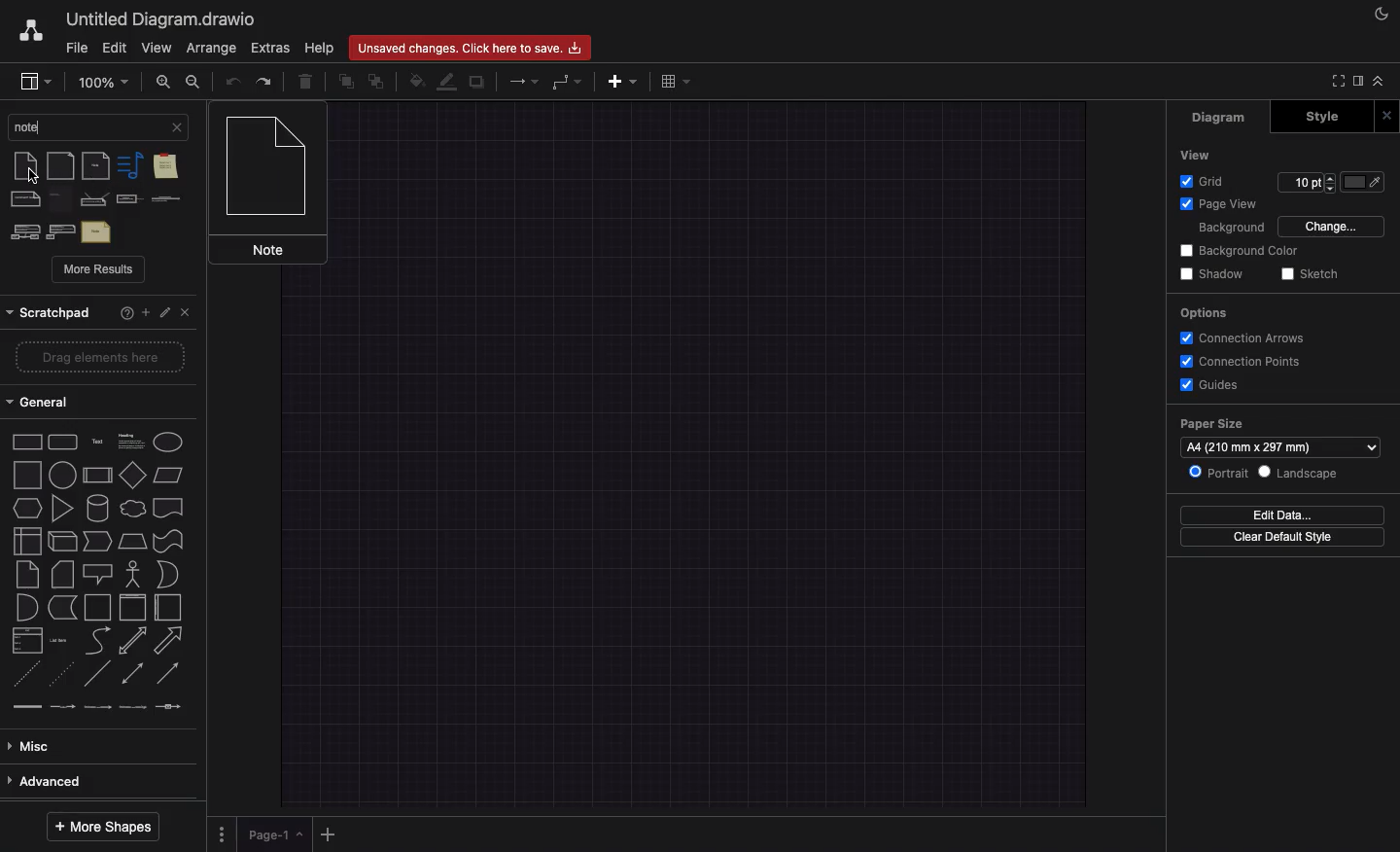 This screenshot has width=1400, height=852. I want to click on Edit, so click(170, 314).